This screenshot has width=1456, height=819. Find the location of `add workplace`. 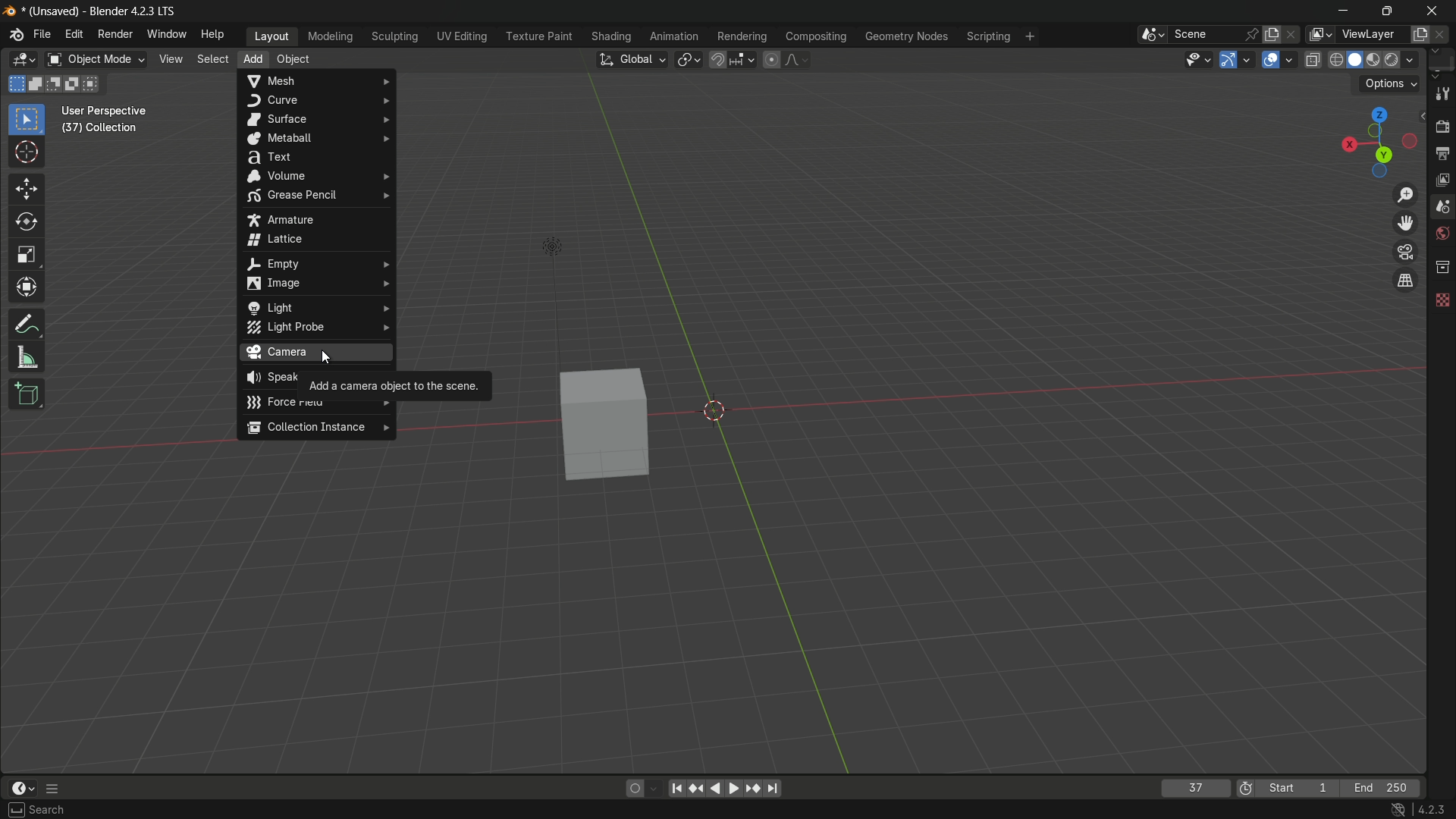

add workplace is located at coordinates (1034, 38).